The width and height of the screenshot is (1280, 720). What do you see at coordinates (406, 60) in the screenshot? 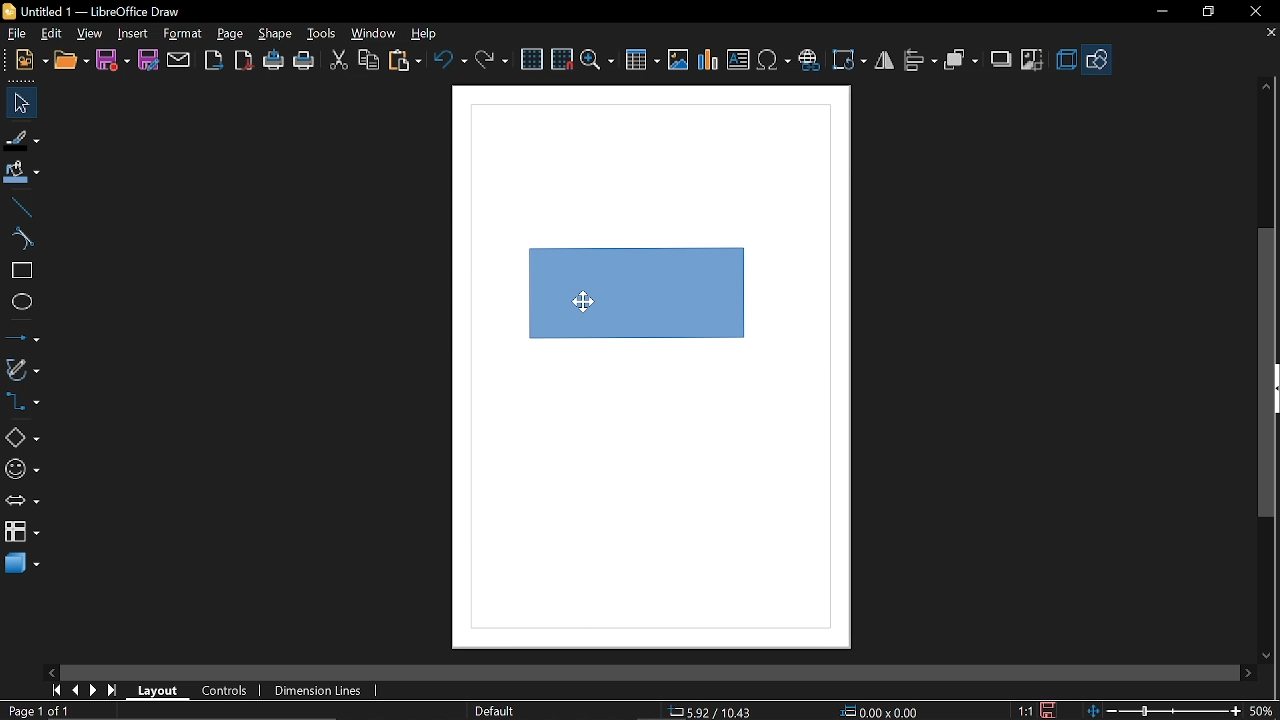
I see `paste` at bounding box center [406, 60].